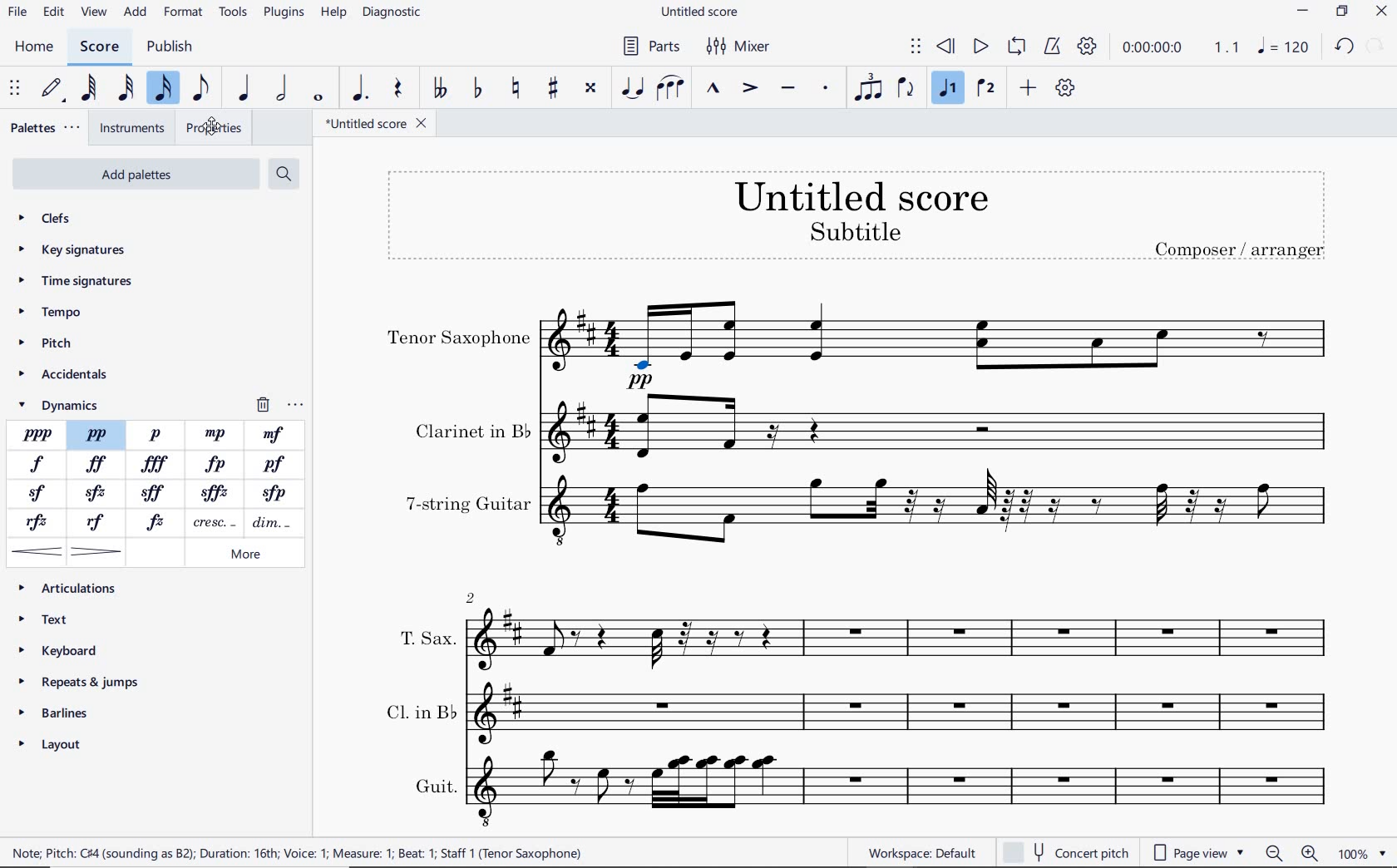  I want to click on PUBLISH, so click(170, 47).